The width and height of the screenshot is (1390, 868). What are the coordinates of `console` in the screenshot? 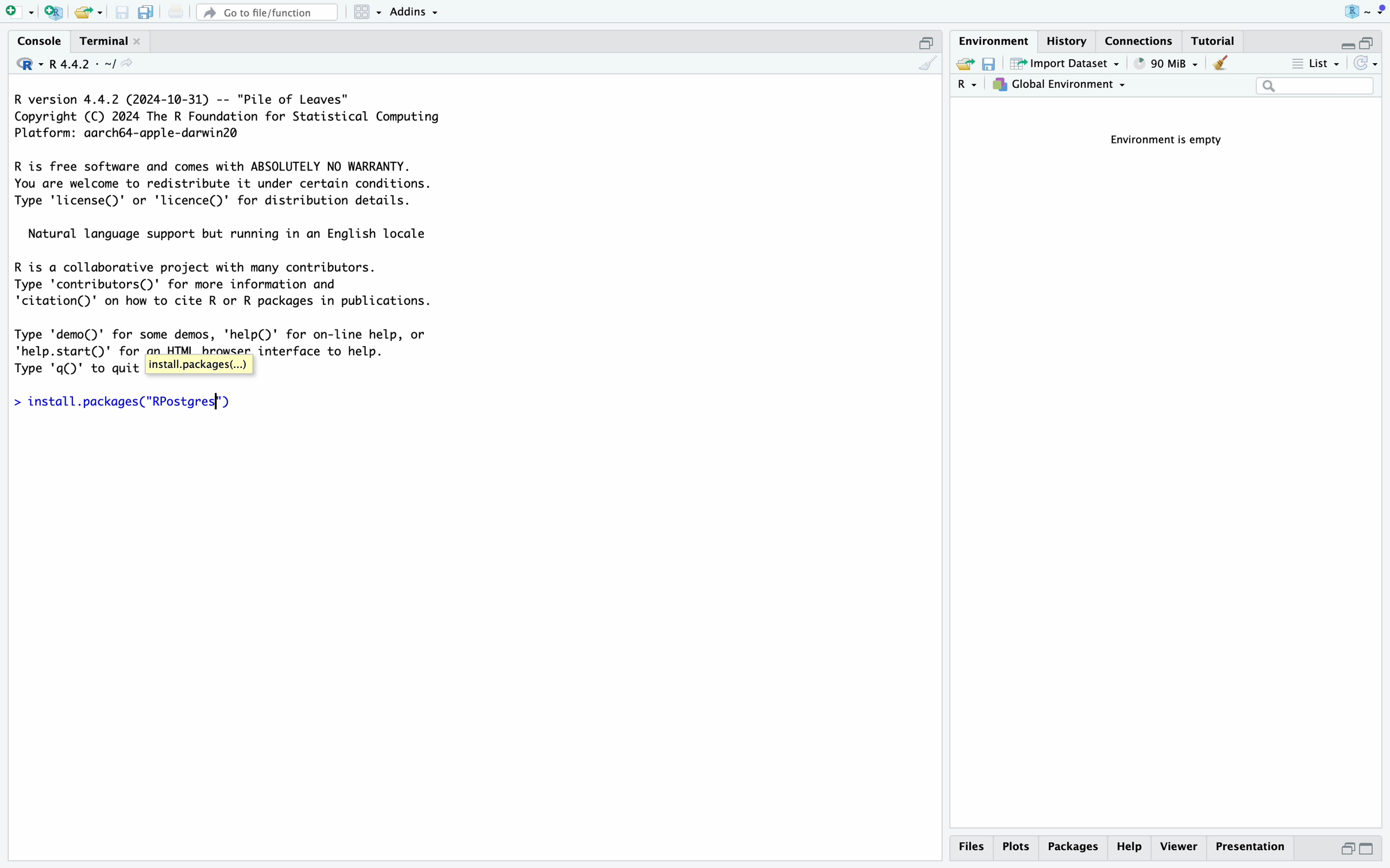 It's located at (34, 40).